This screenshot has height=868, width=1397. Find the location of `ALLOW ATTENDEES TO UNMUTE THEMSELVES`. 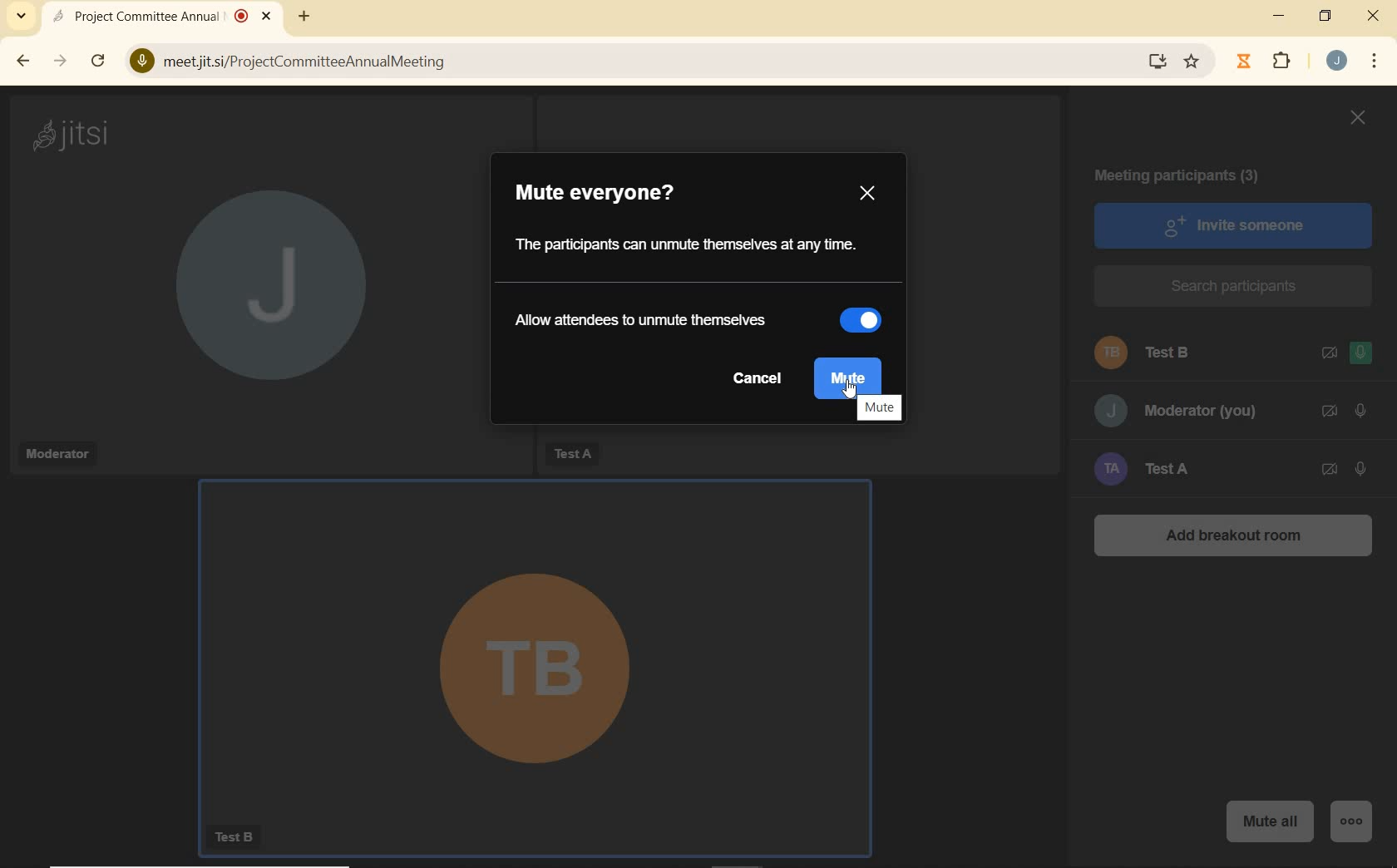

ALLOW ATTENDEES TO UNMUTE THEMSELVES is located at coordinates (653, 321).